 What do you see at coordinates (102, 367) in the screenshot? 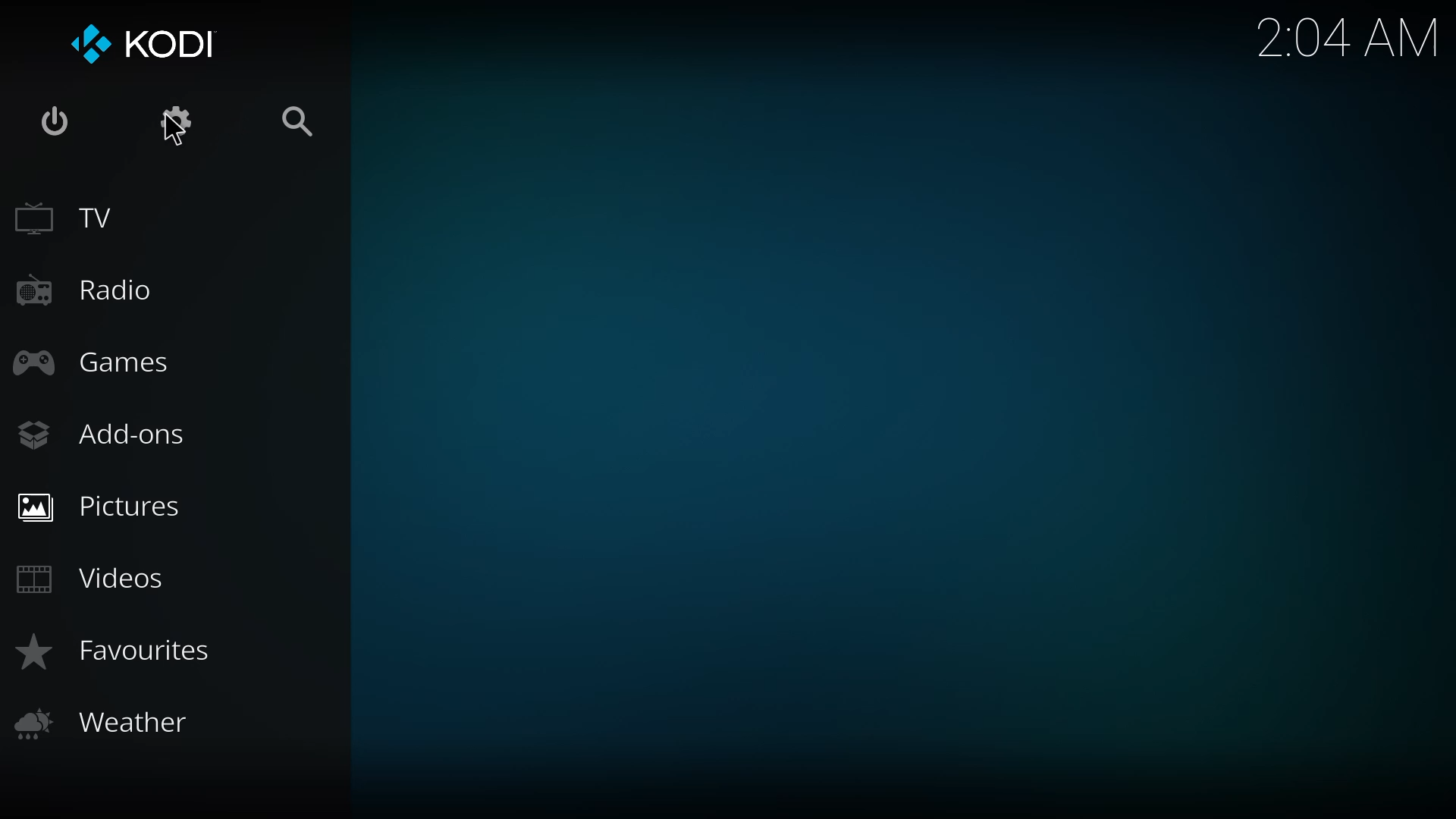
I see `games` at bounding box center [102, 367].